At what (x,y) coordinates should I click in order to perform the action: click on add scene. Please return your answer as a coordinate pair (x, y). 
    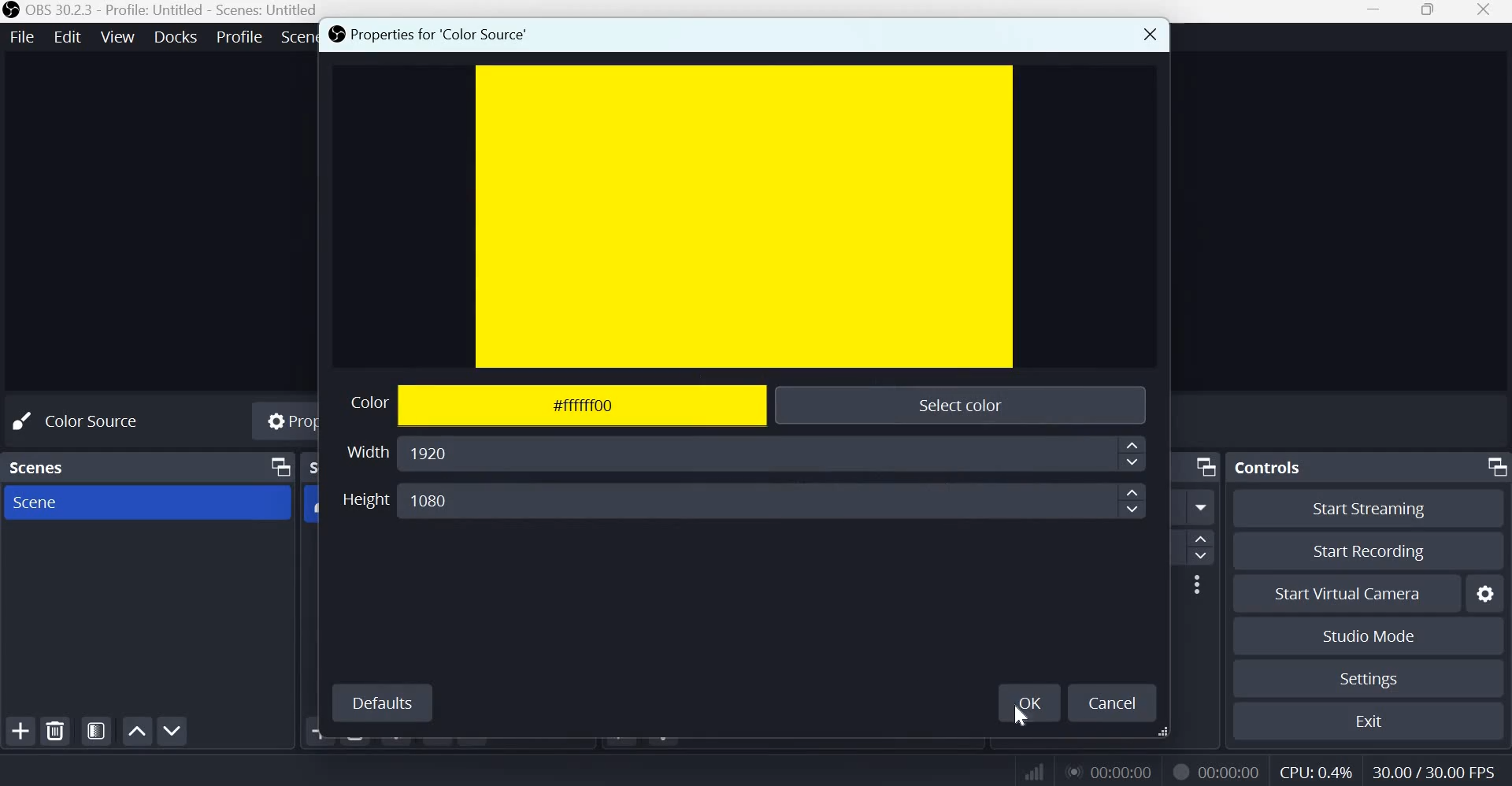
    Looking at the image, I should click on (20, 731).